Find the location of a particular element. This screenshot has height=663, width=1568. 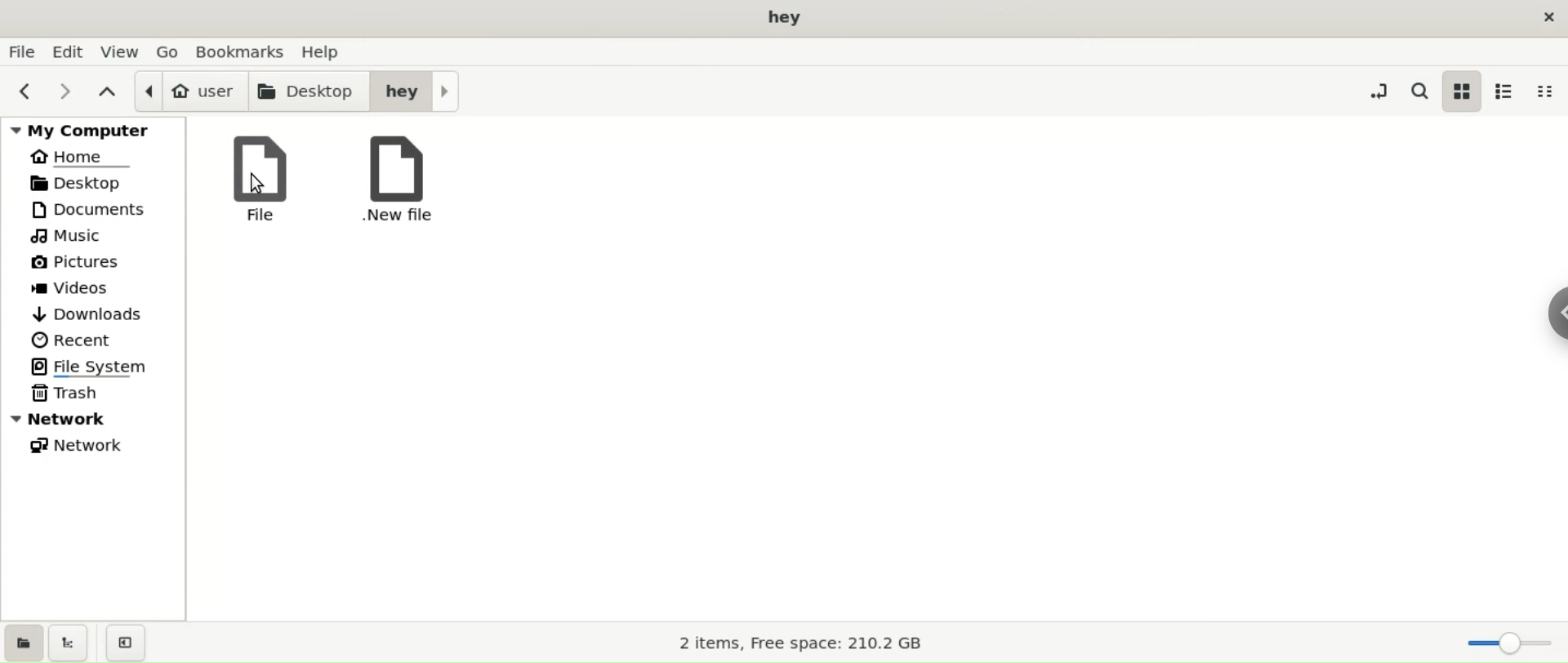

music is located at coordinates (96, 238).